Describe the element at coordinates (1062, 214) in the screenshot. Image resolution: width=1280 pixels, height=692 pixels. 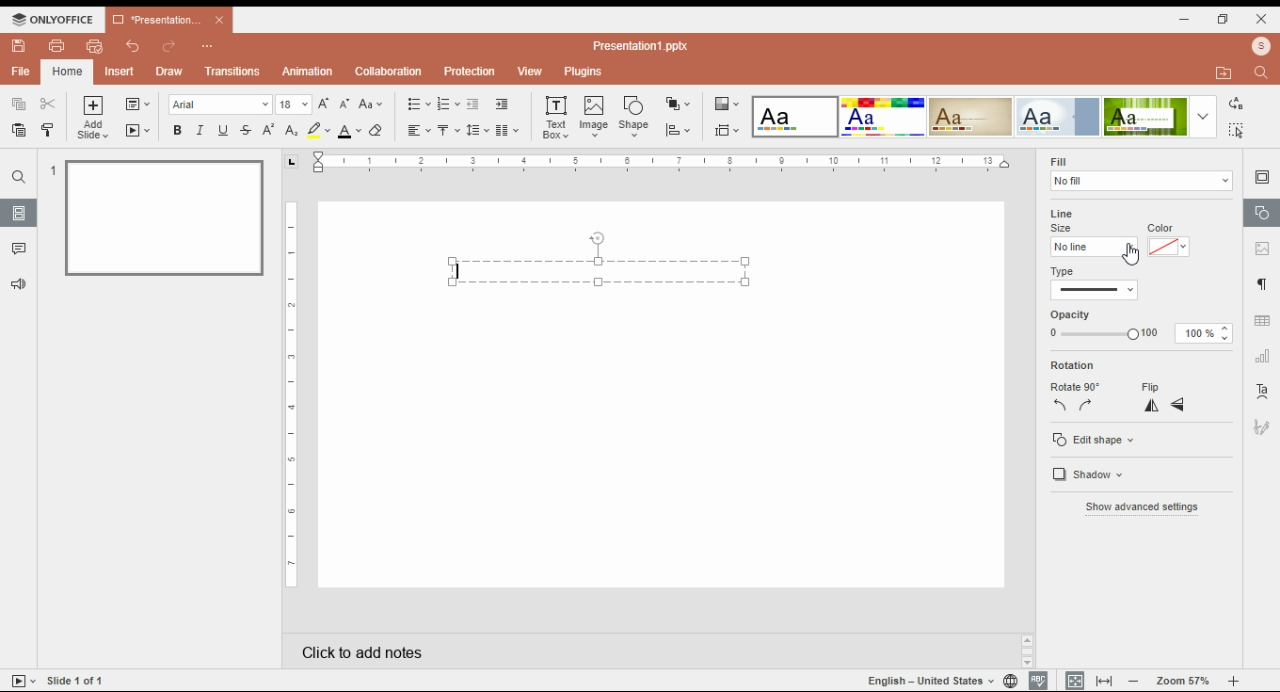
I see `line` at that location.